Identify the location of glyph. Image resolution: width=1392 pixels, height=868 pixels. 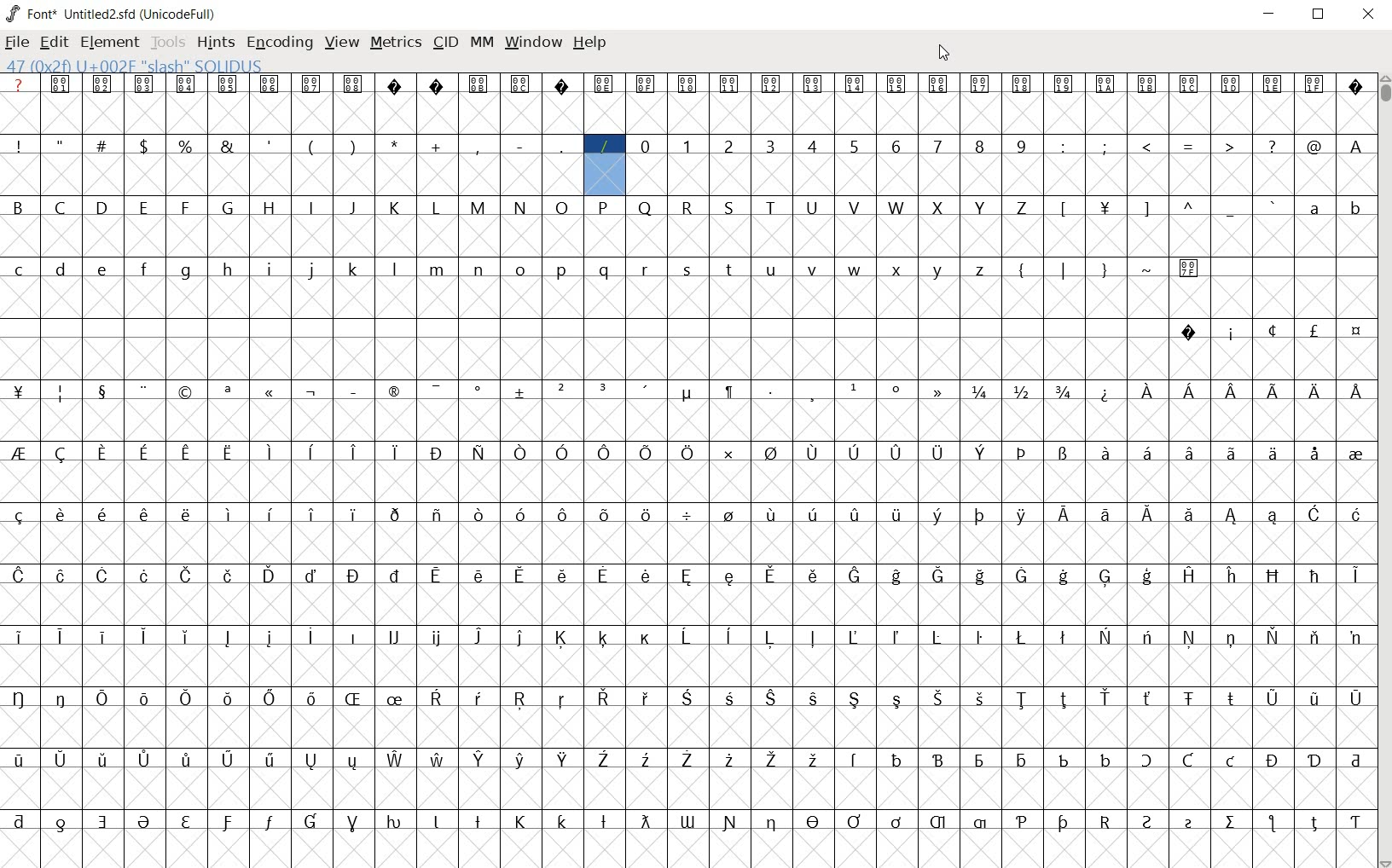
(979, 761).